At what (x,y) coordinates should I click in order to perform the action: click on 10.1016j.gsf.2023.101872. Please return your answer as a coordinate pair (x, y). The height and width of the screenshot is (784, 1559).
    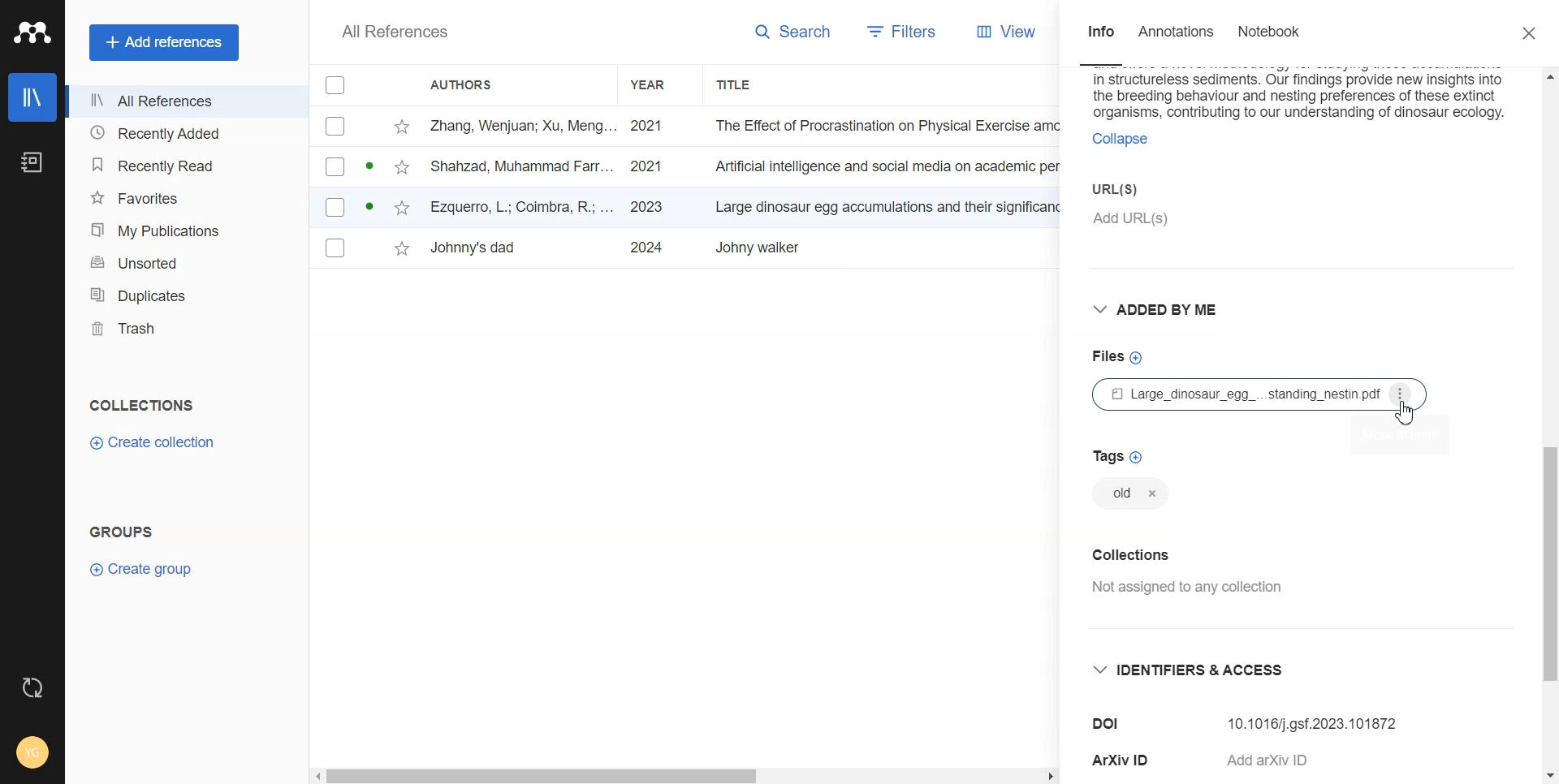
    Looking at the image, I should click on (1314, 718).